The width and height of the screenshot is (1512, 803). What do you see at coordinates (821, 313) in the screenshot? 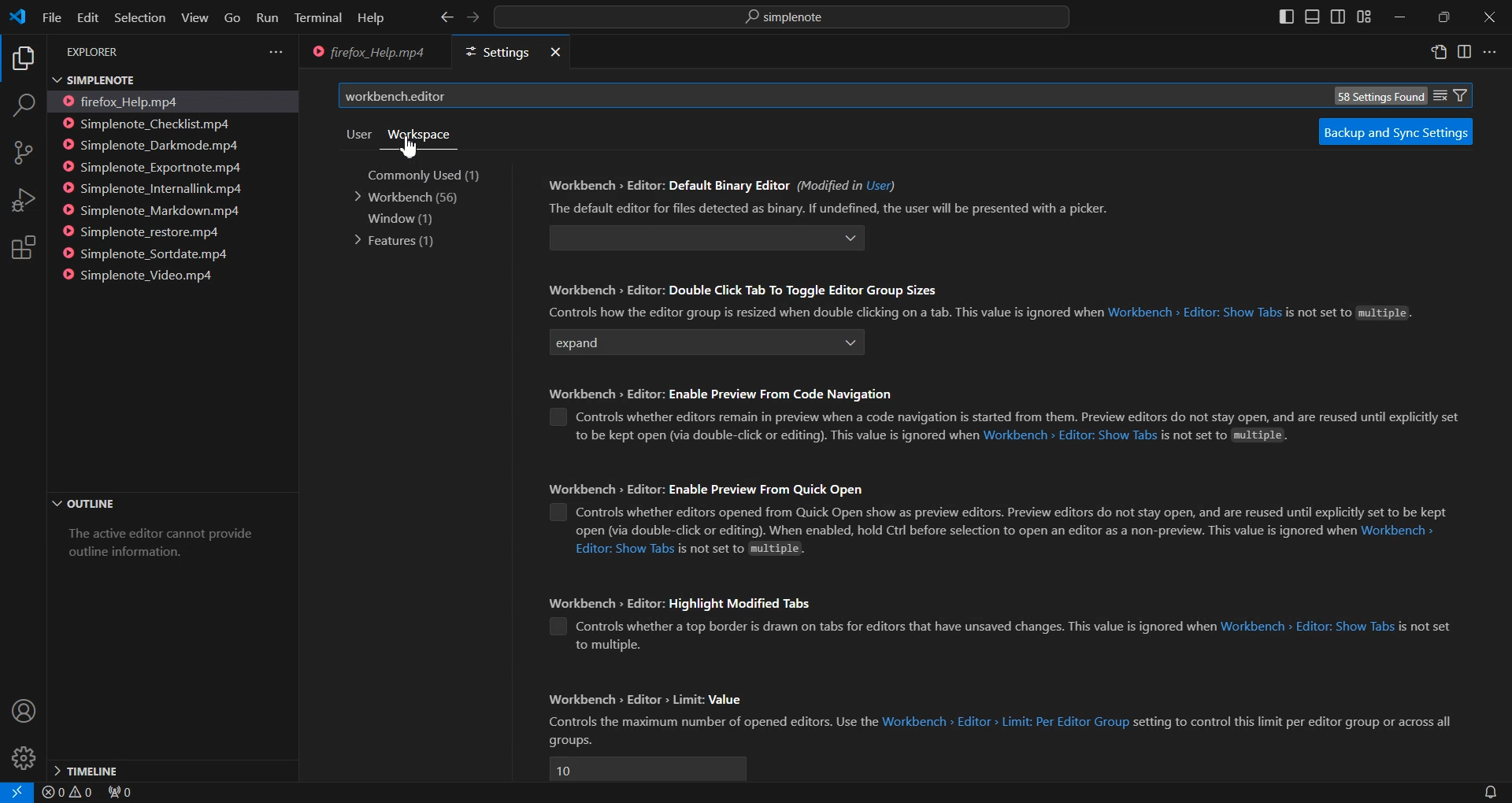
I see `Controls how the editor group is resized when double clicking on a tab. This value is ignored when` at bounding box center [821, 313].